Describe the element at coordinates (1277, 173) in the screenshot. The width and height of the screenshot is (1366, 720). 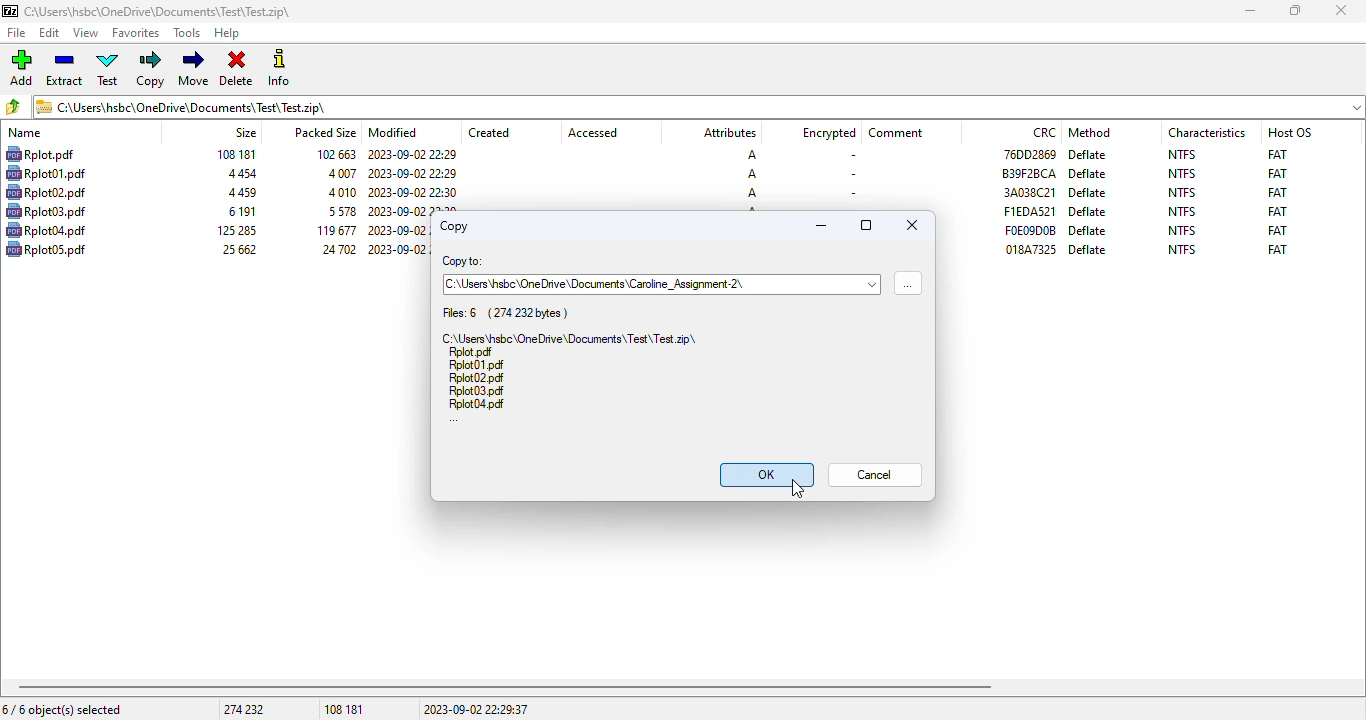
I see `FAT` at that location.